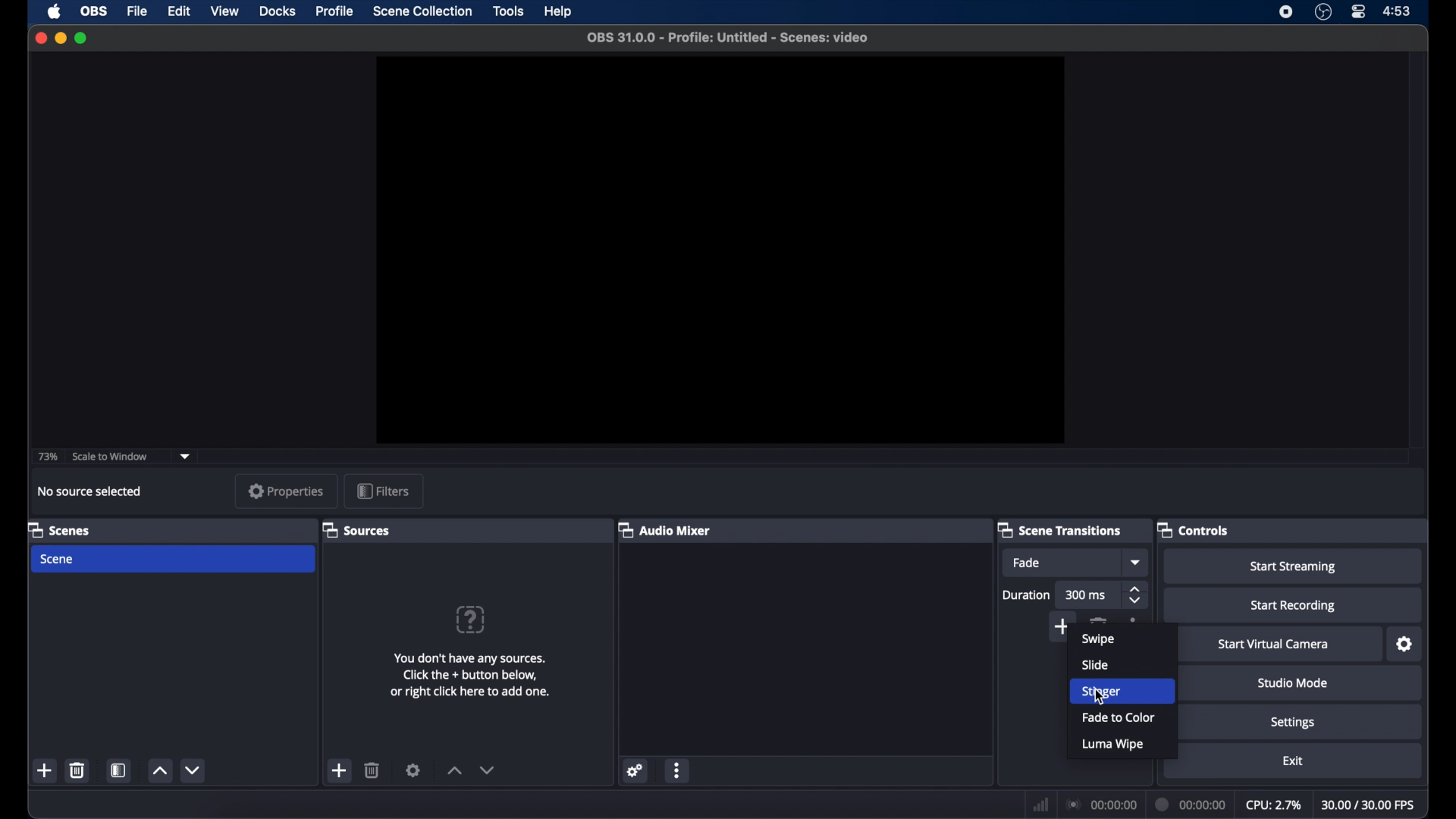 The image size is (1456, 819). Describe the element at coordinates (333, 11) in the screenshot. I see `profile` at that location.